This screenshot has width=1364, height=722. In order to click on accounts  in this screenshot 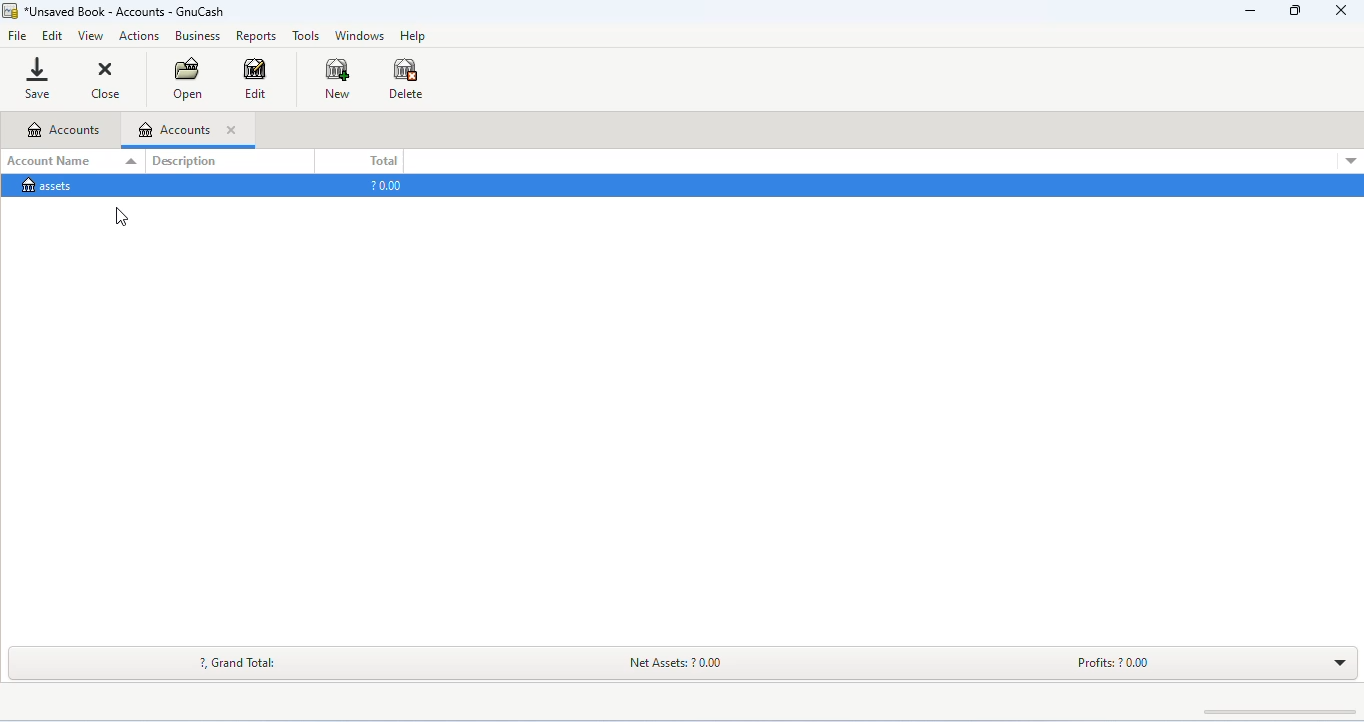, I will do `click(192, 130)`.